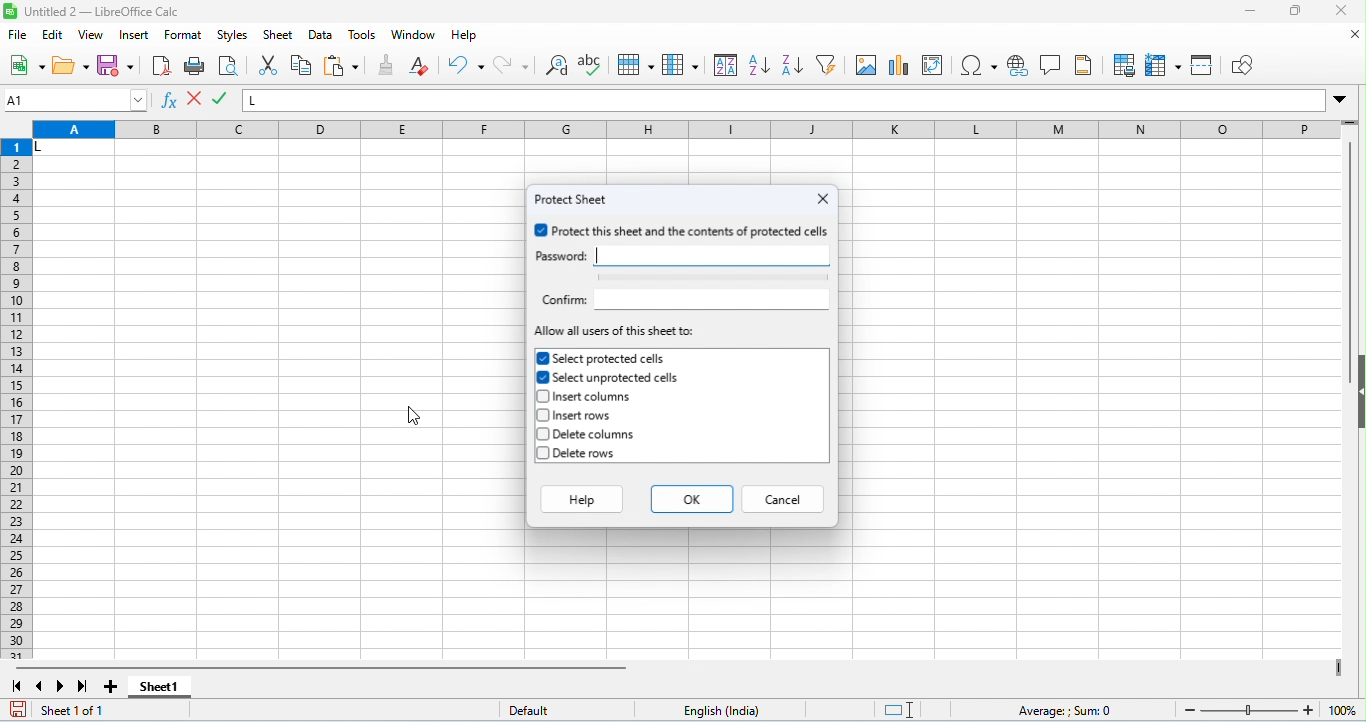  What do you see at coordinates (1019, 66) in the screenshot?
I see `insert hyperlink` at bounding box center [1019, 66].